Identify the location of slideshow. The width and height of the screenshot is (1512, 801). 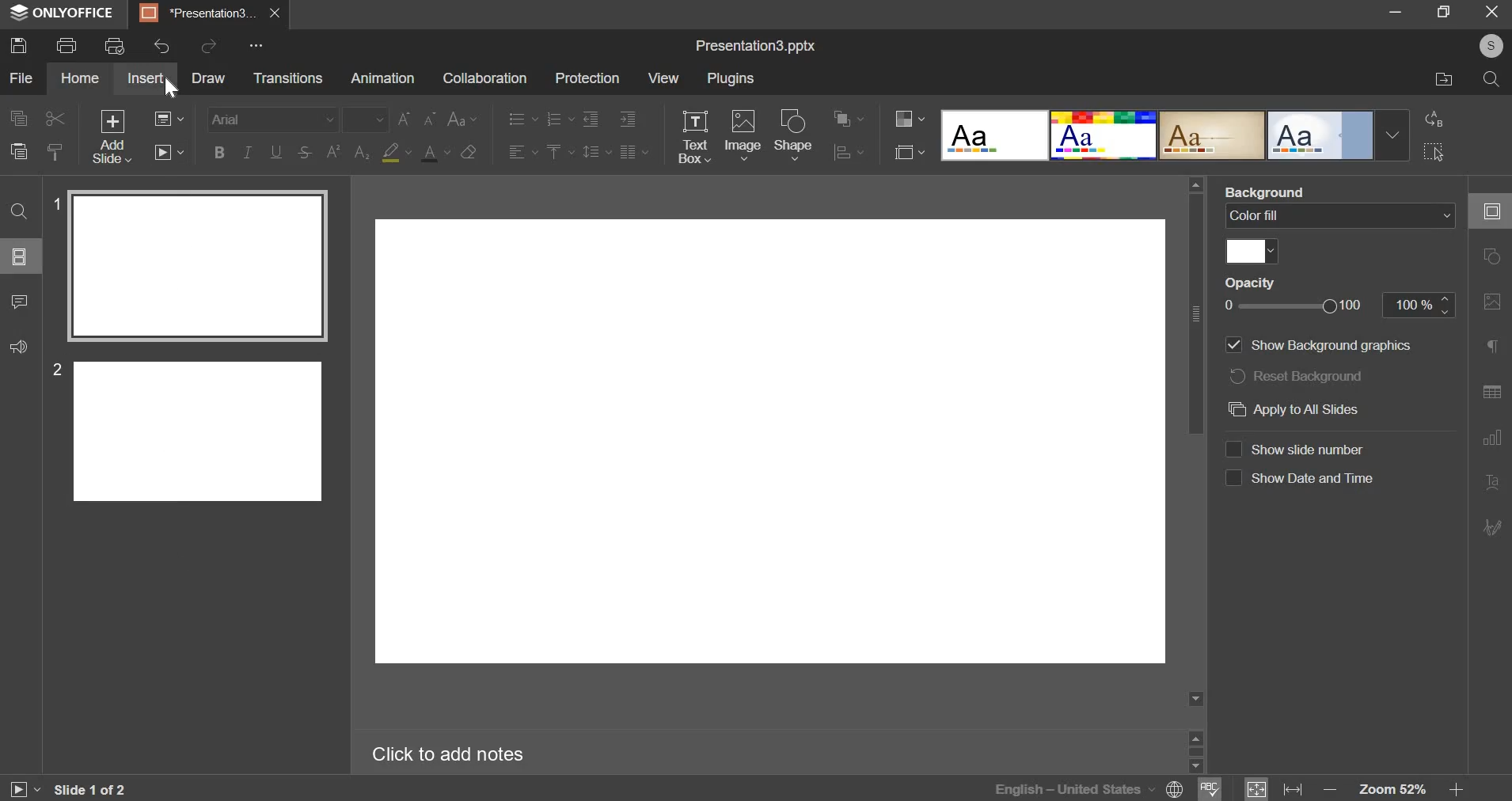
(169, 152).